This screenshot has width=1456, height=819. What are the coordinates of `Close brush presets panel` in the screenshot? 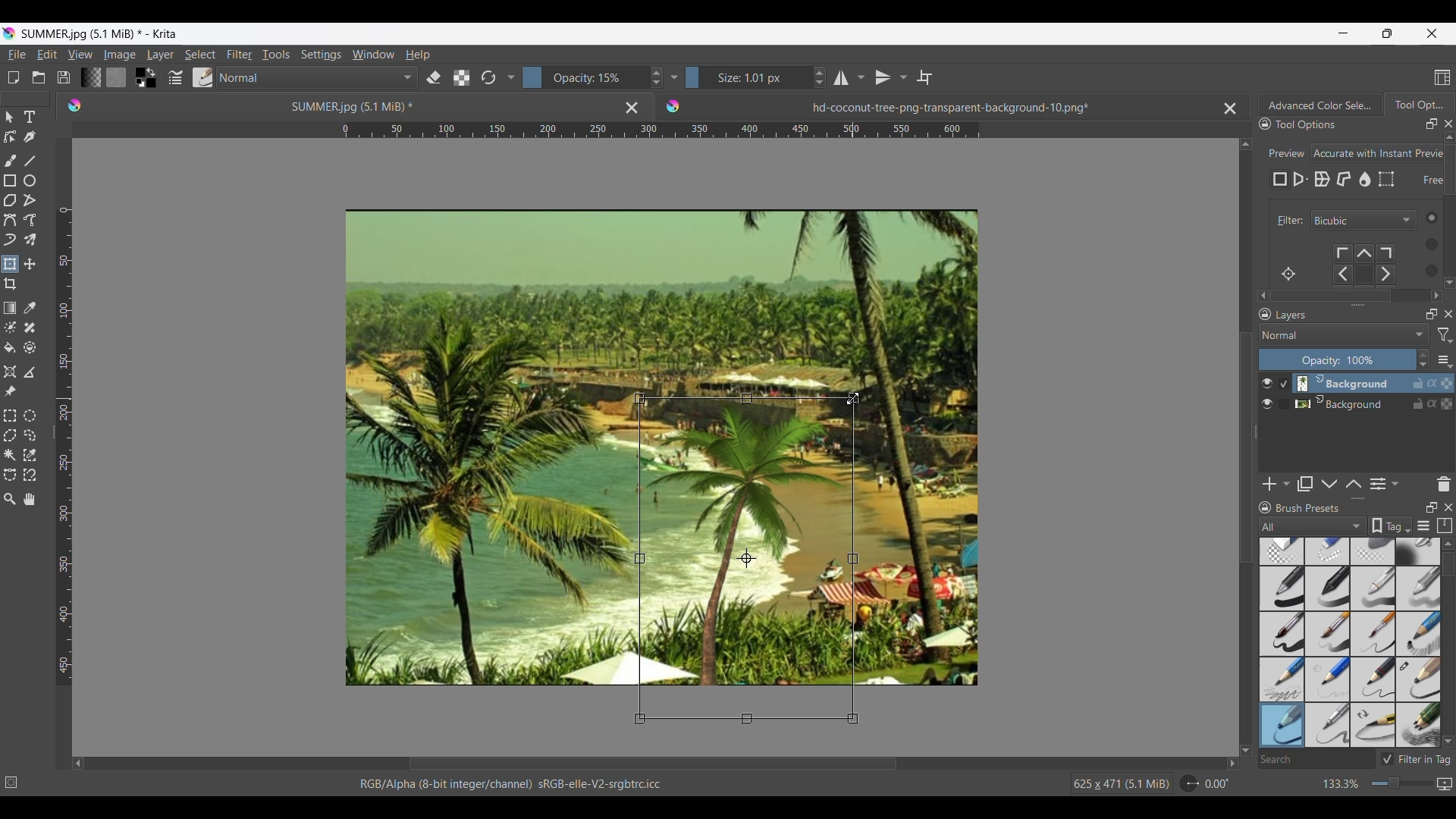 It's located at (1448, 507).